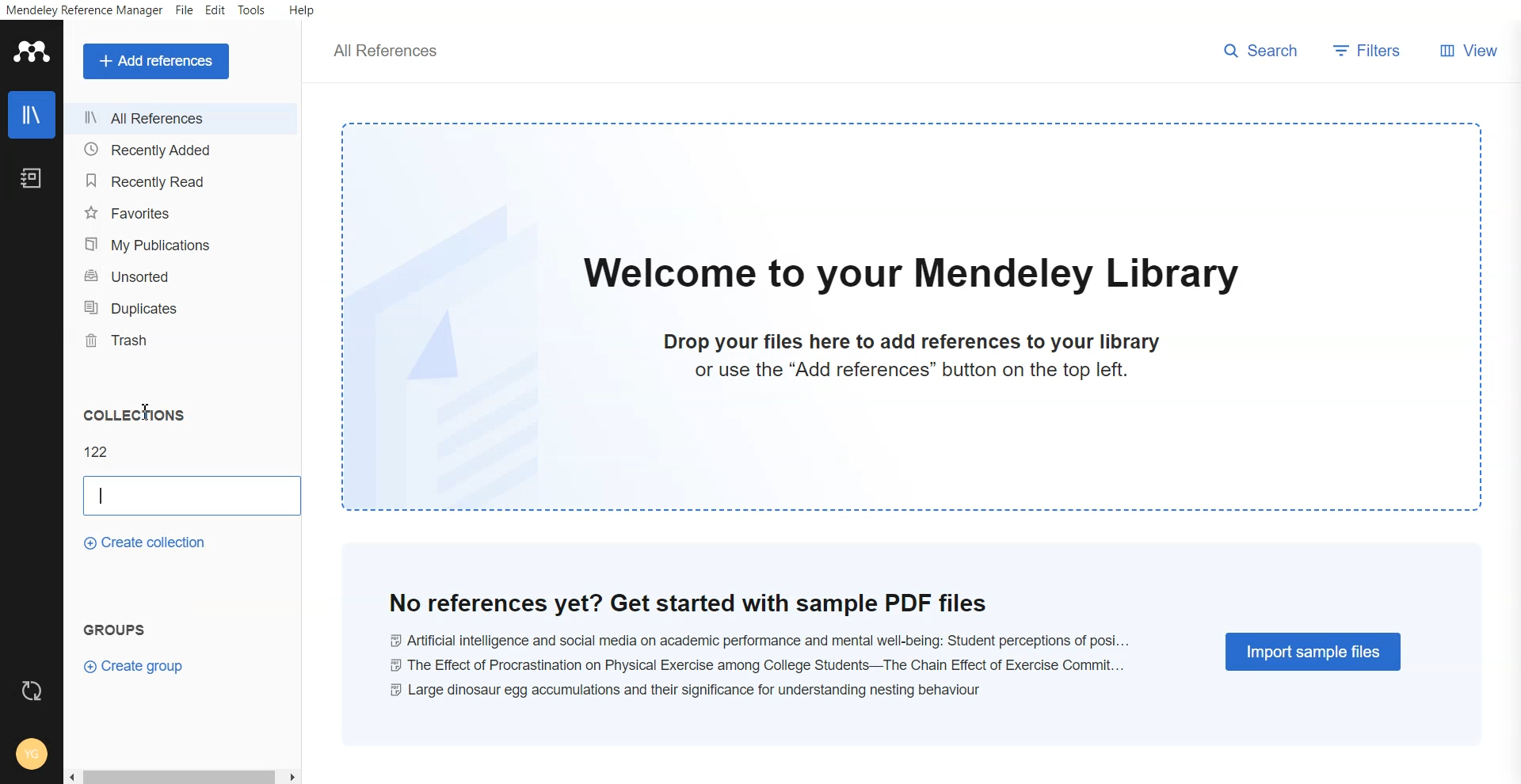 Image resolution: width=1521 pixels, height=784 pixels. Describe the element at coordinates (1367, 51) in the screenshot. I see `Filters` at that location.